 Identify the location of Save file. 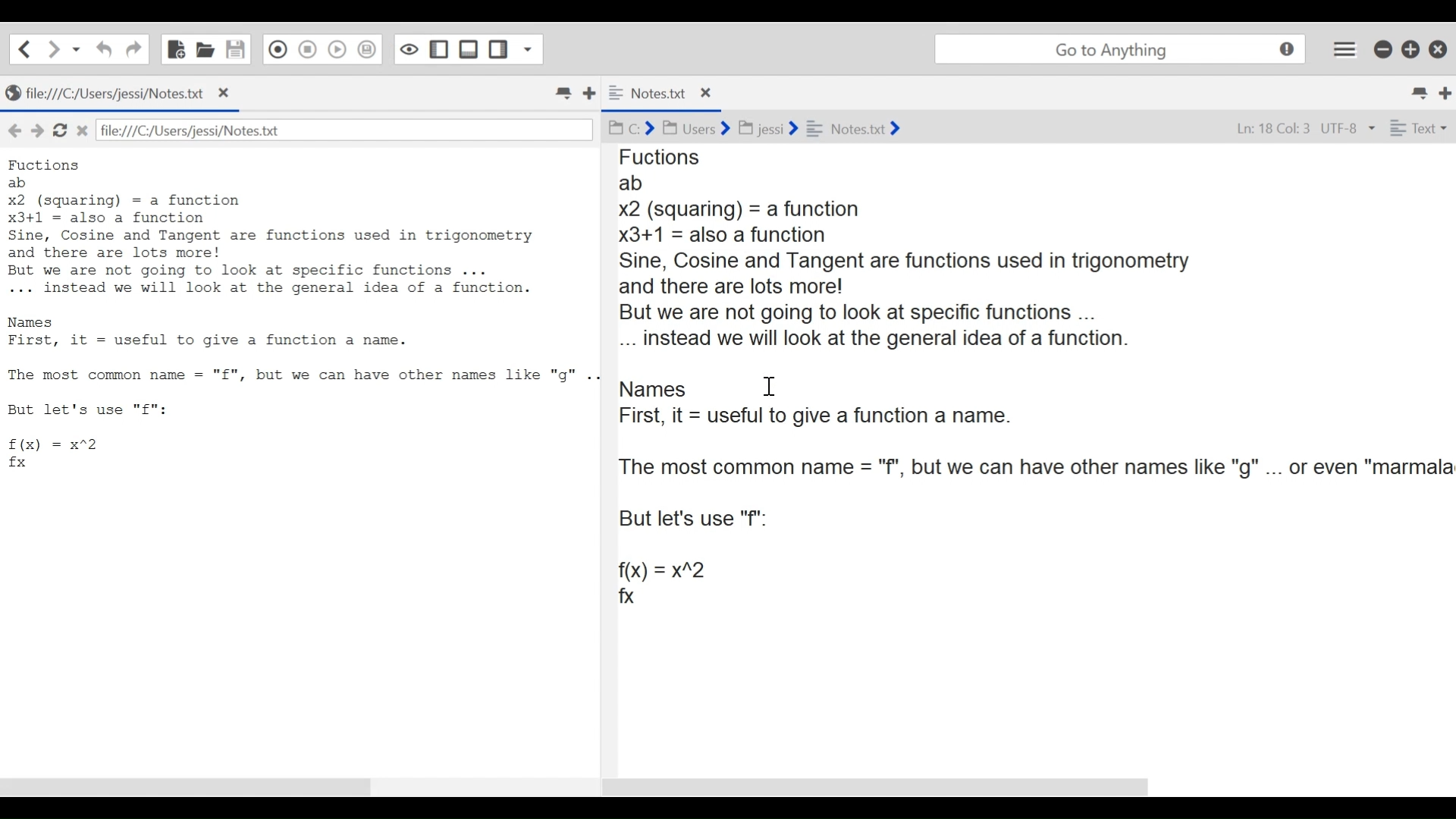
(236, 50).